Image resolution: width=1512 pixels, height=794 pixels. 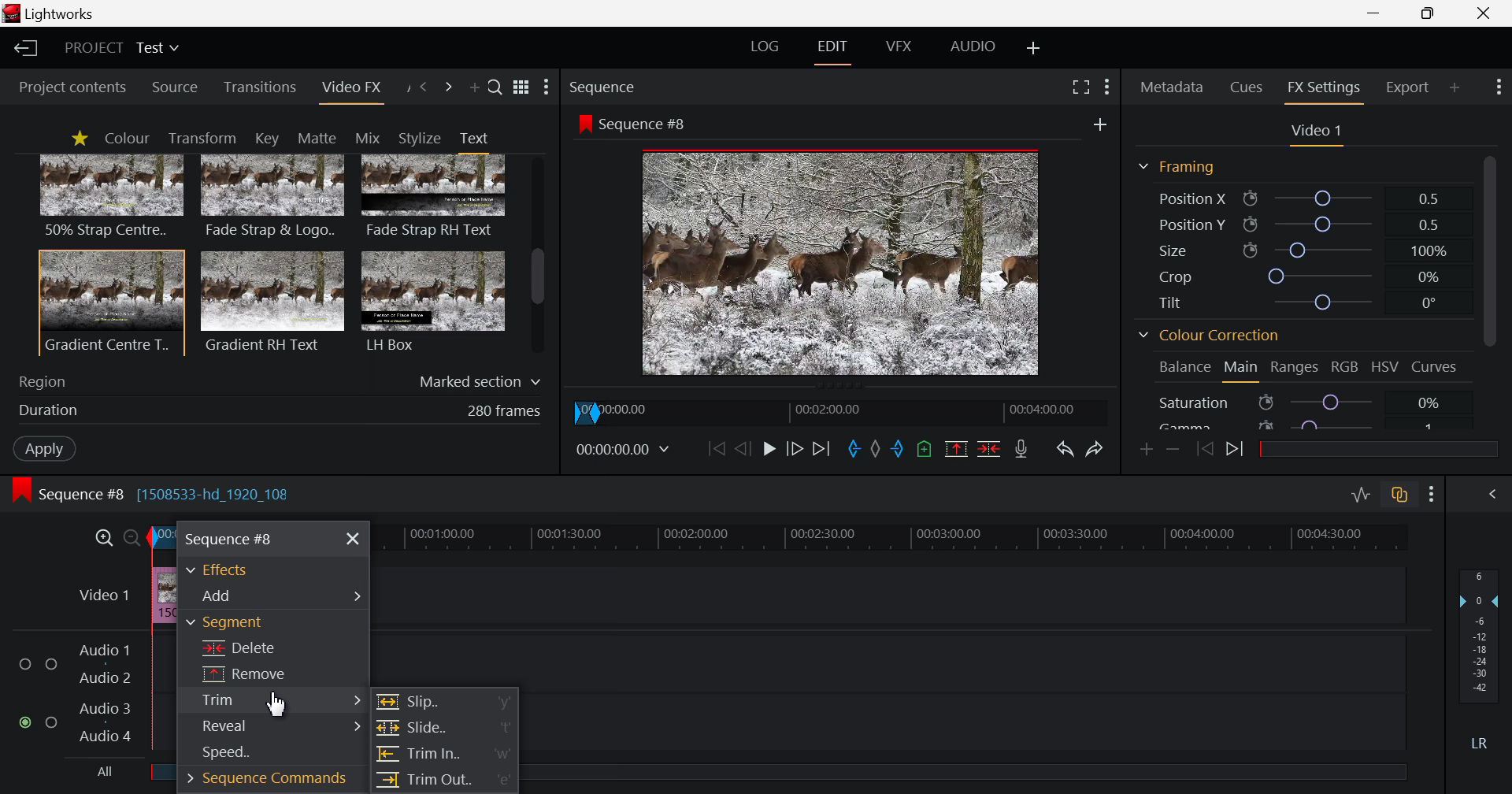 What do you see at coordinates (1496, 87) in the screenshot?
I see `Show Settings` at bounding box center [1496, 87].